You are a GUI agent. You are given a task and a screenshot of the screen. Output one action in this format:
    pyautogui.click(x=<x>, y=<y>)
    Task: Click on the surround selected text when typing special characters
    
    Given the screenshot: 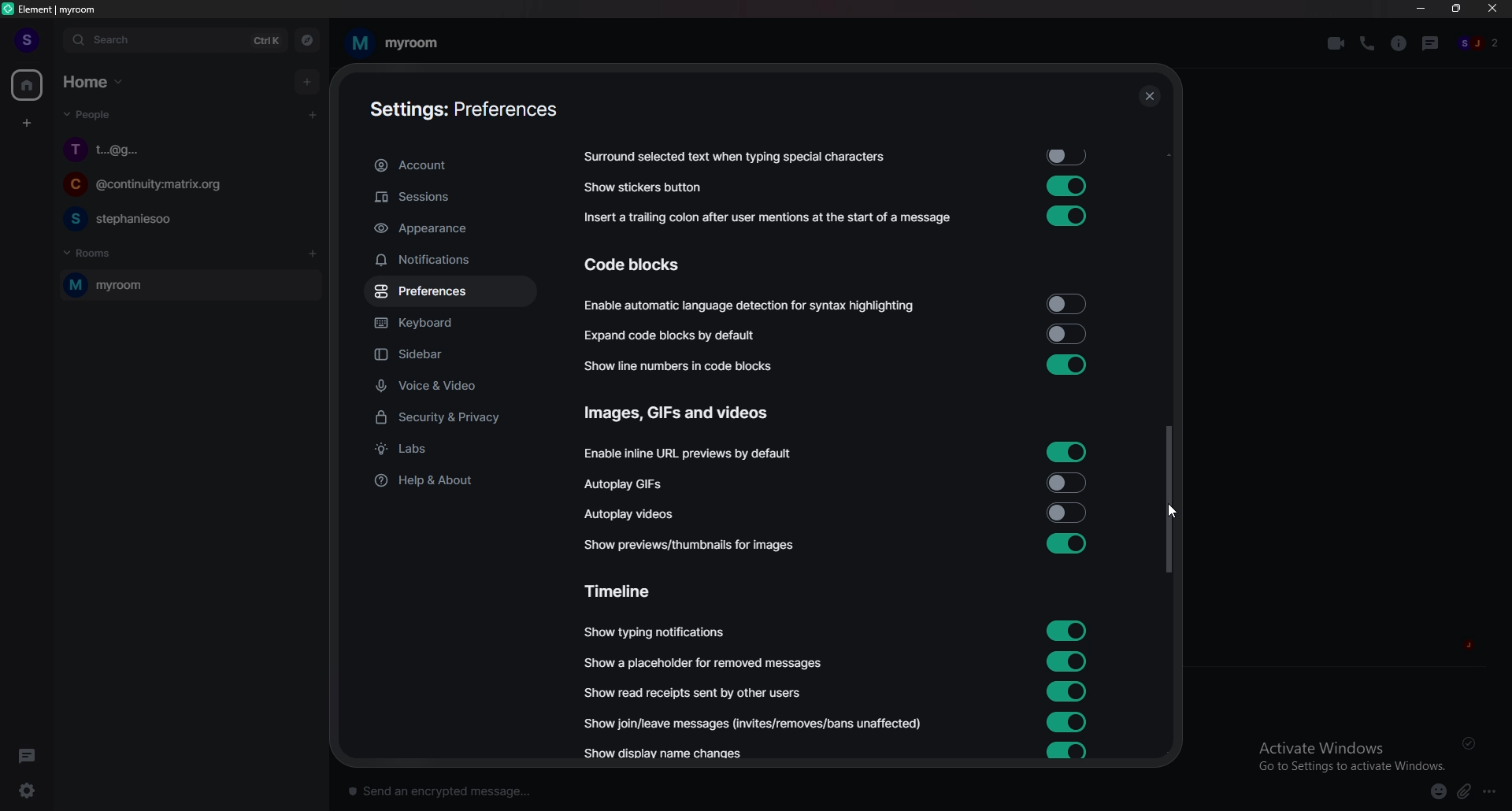 What is the action you would take?
    pyautogui.click(x=732, y=157)
    